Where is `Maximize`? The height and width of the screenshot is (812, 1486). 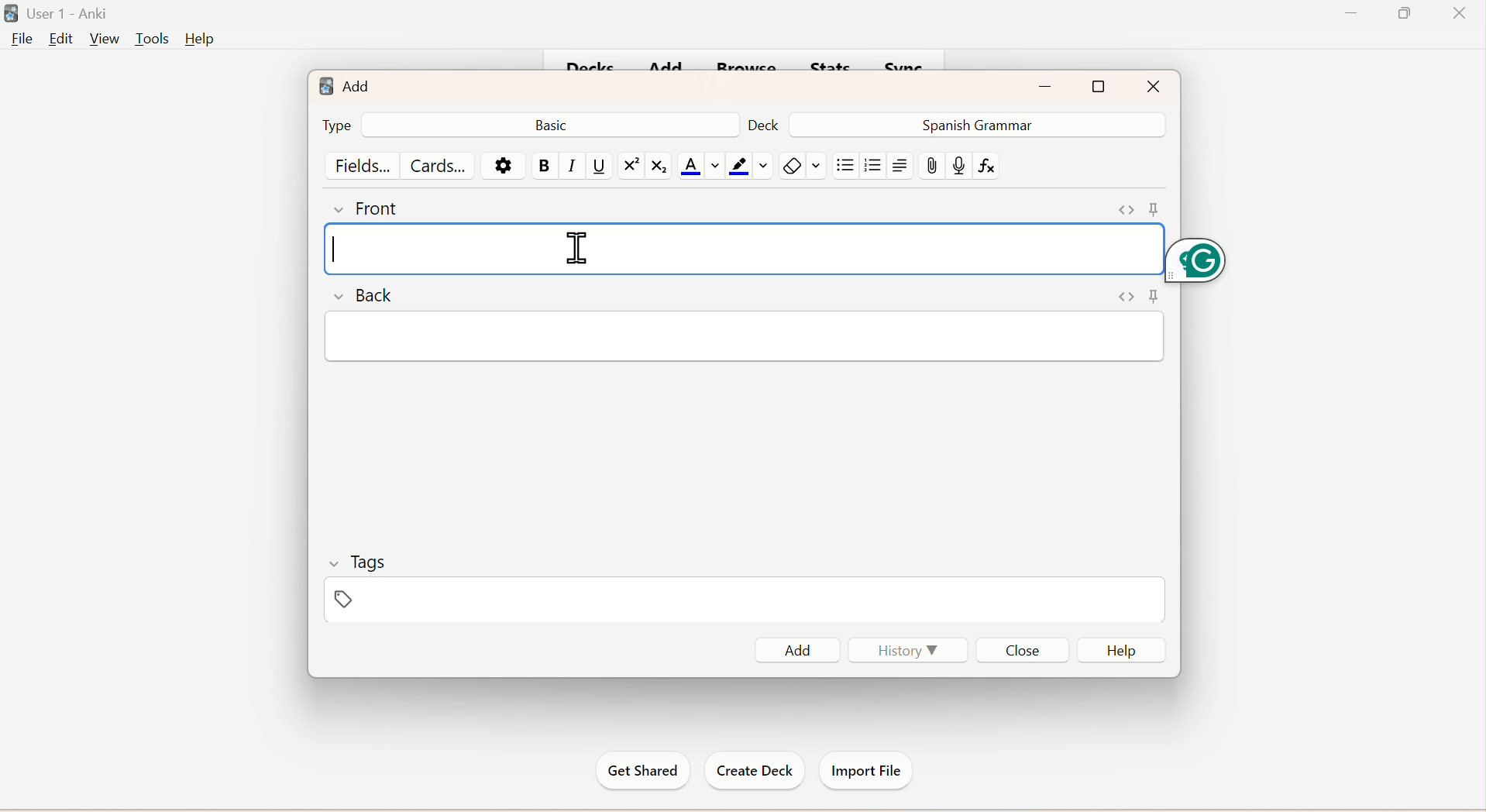 Maximize is located at coordinates (1100, 86).